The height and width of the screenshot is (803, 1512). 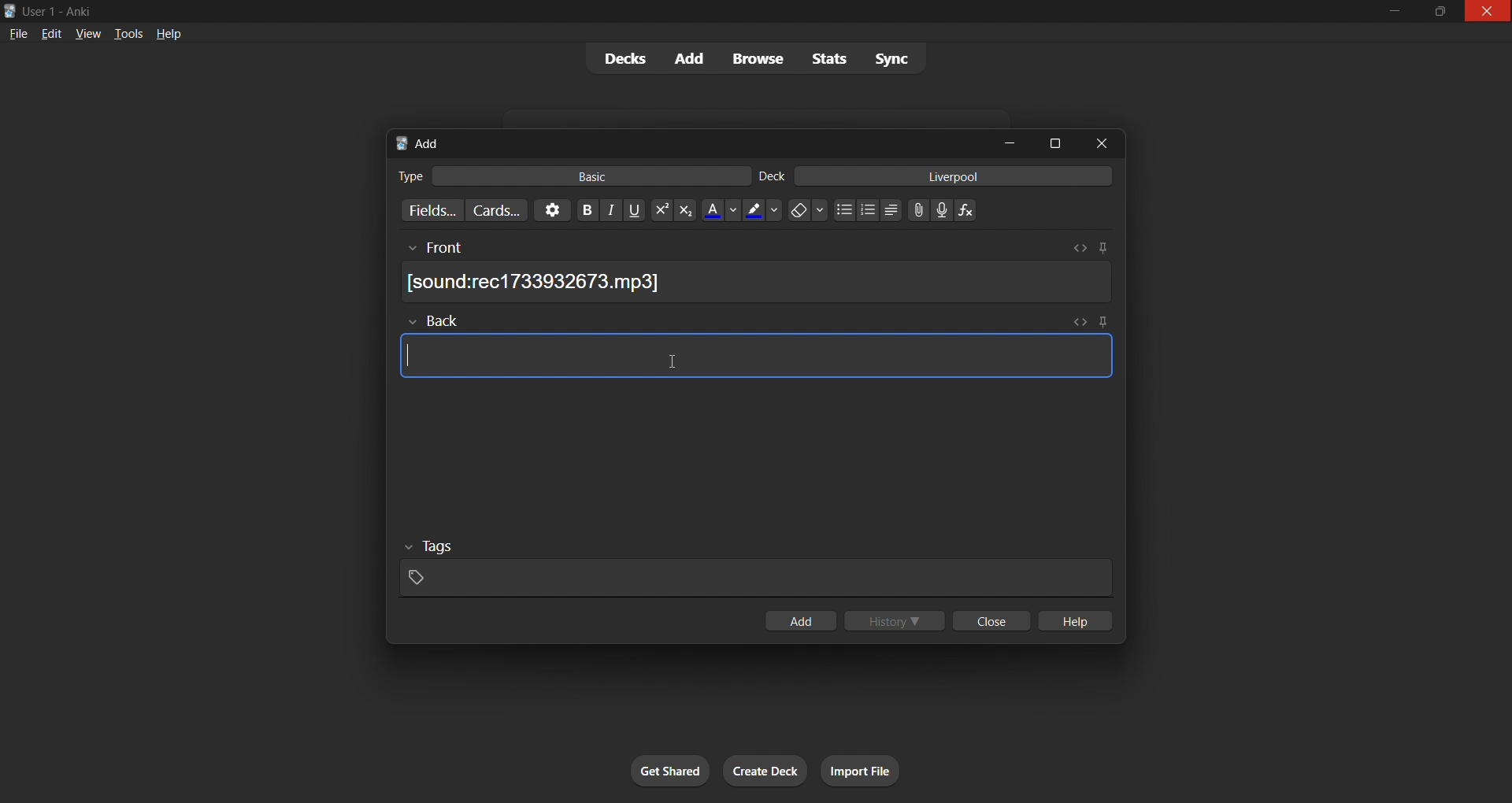 What do you see at coordinates (841, 209) in the screenshot?
I see `unordered list` at bounding box center [841, 209].